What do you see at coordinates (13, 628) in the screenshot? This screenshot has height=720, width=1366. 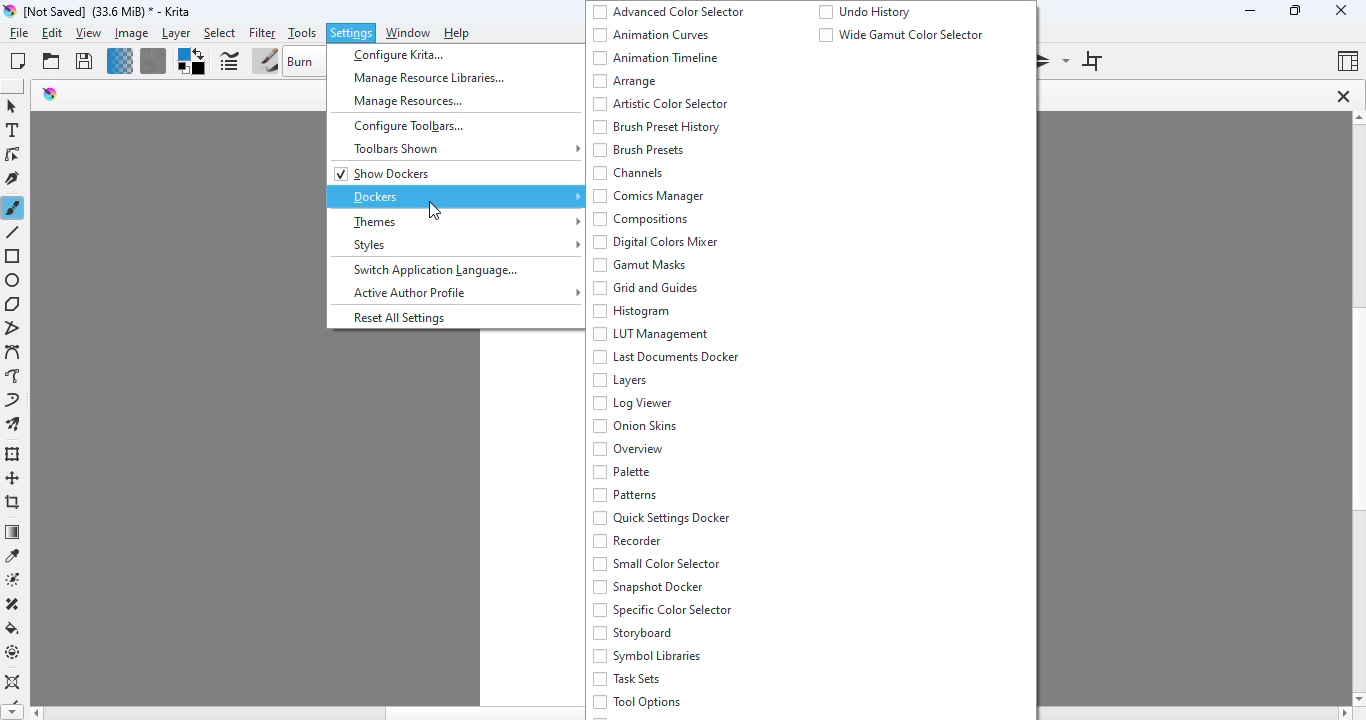 I see `fill a selection` at bounding box center [13, 628].